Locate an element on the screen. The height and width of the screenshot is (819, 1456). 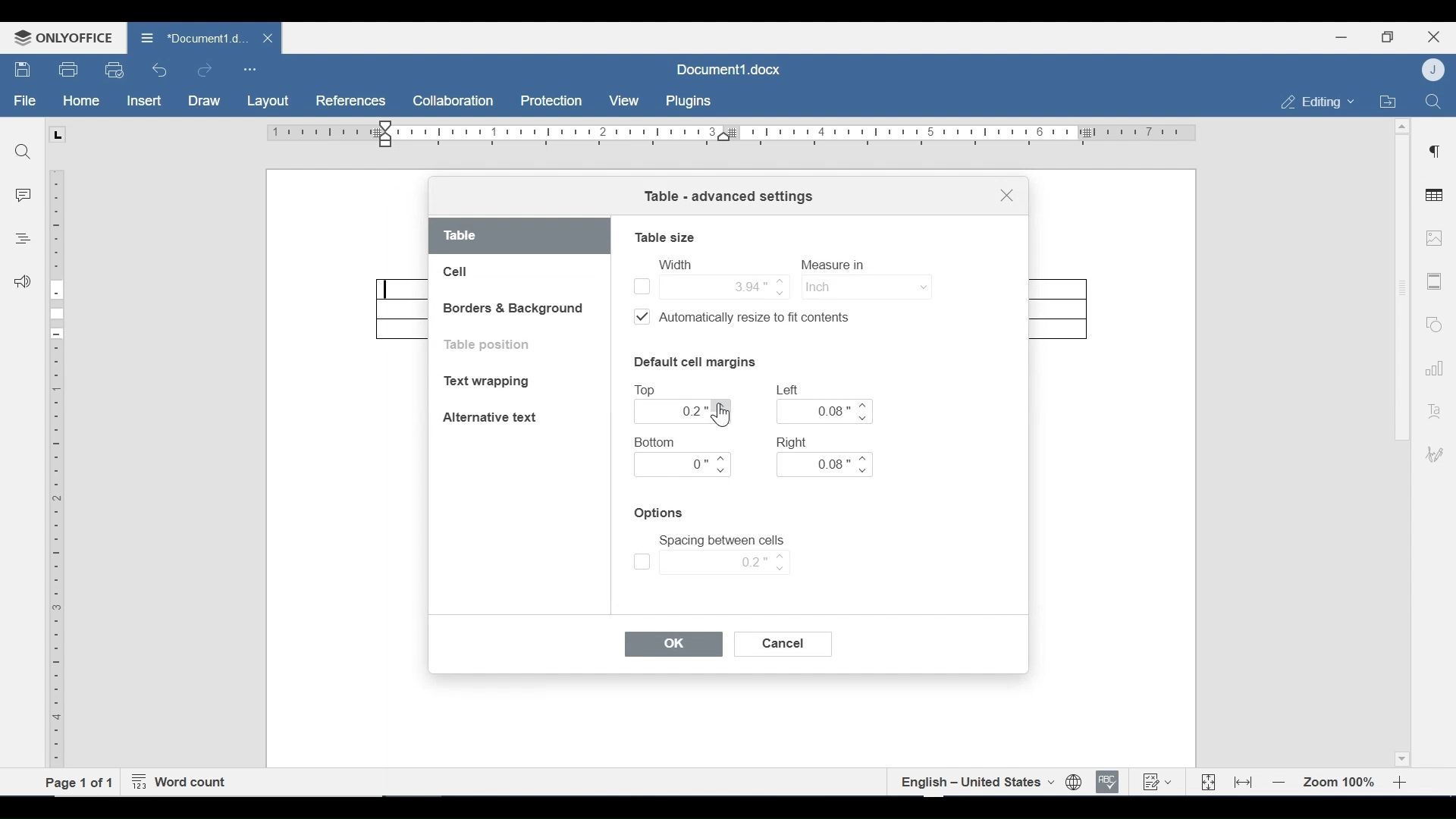
Borders & Background is located at coordinates (515, 309).